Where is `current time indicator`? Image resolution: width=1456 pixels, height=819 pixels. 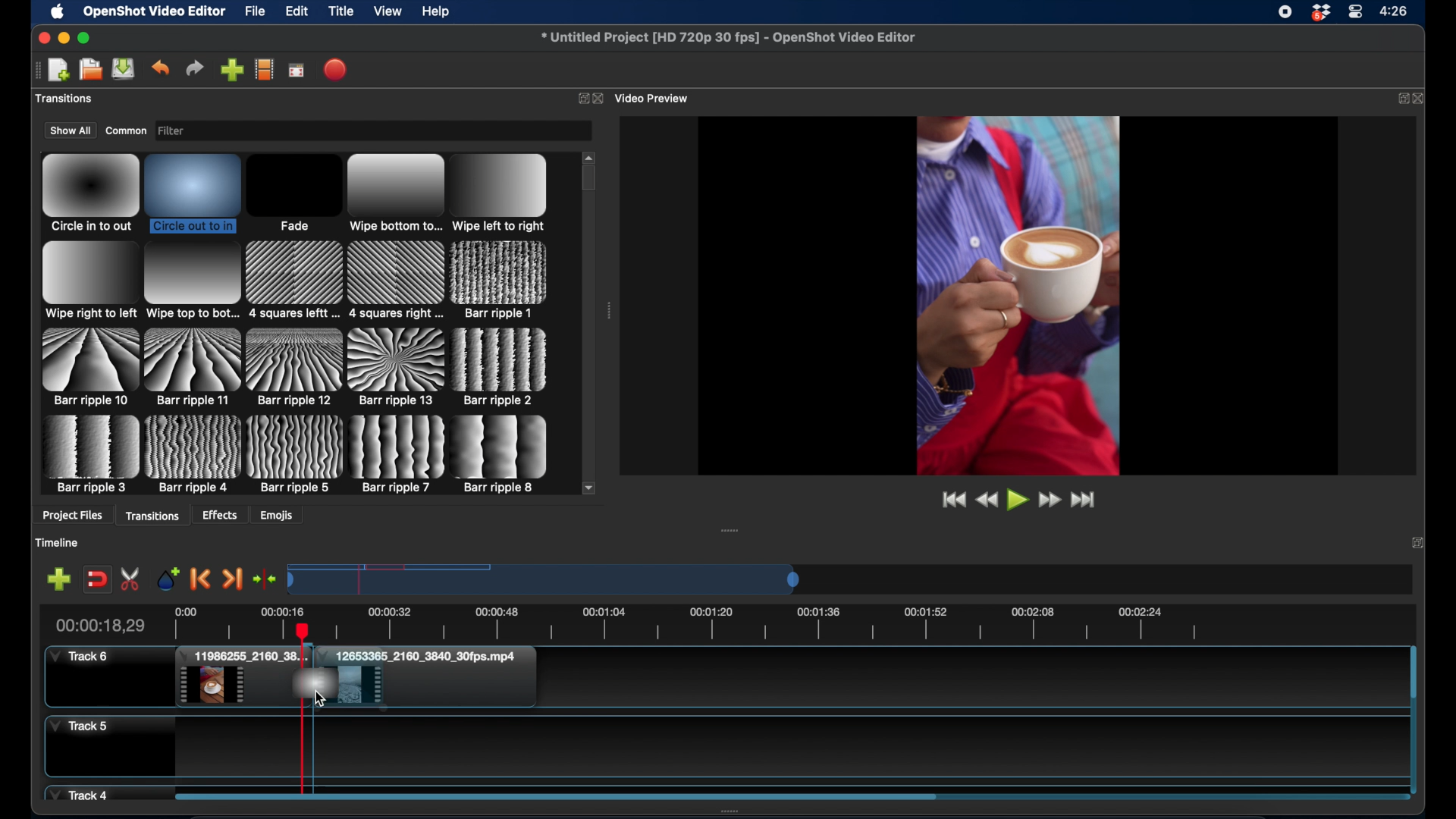 current time indicator is located at coordinates (99, 625).